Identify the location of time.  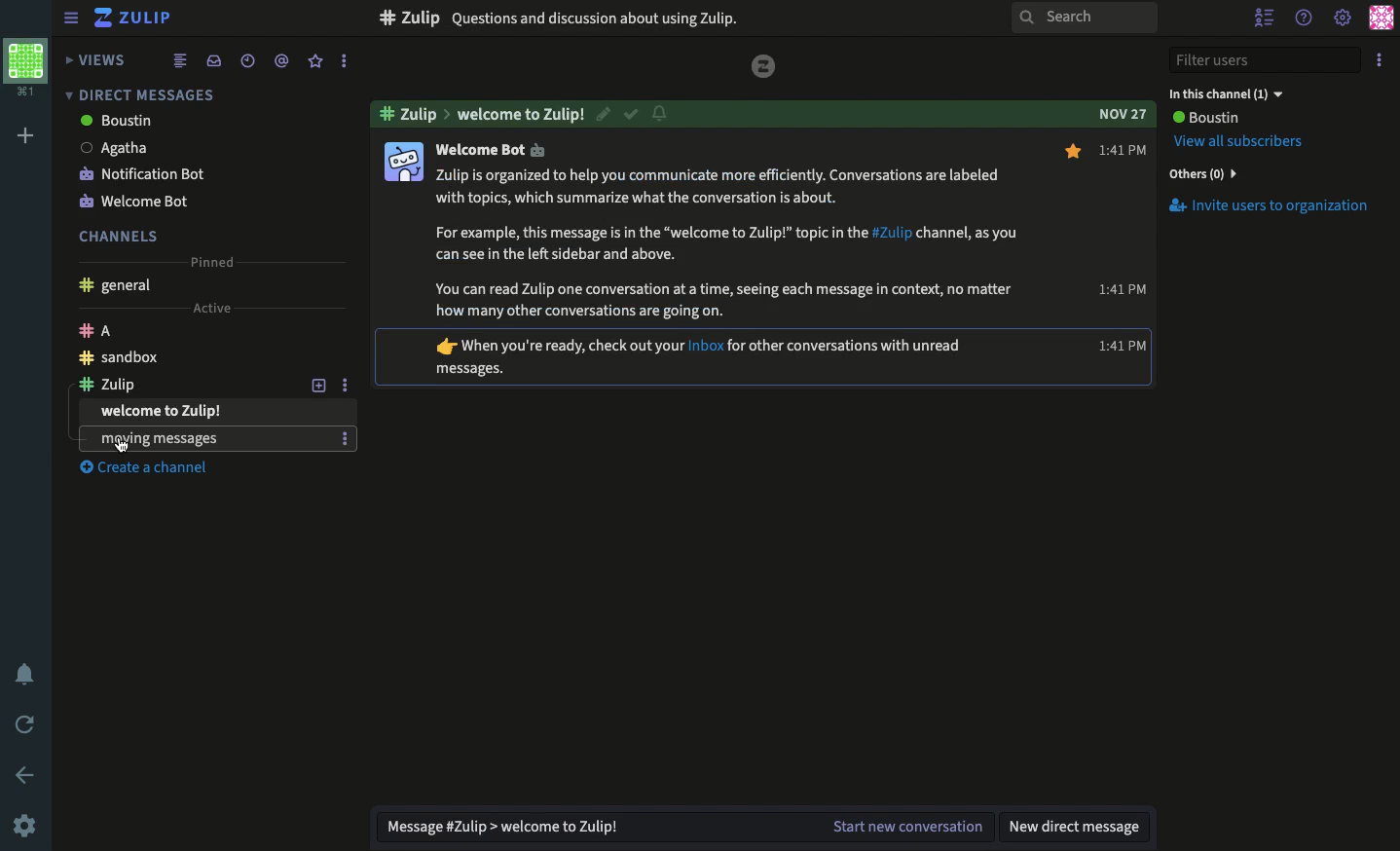
(1123, 345).